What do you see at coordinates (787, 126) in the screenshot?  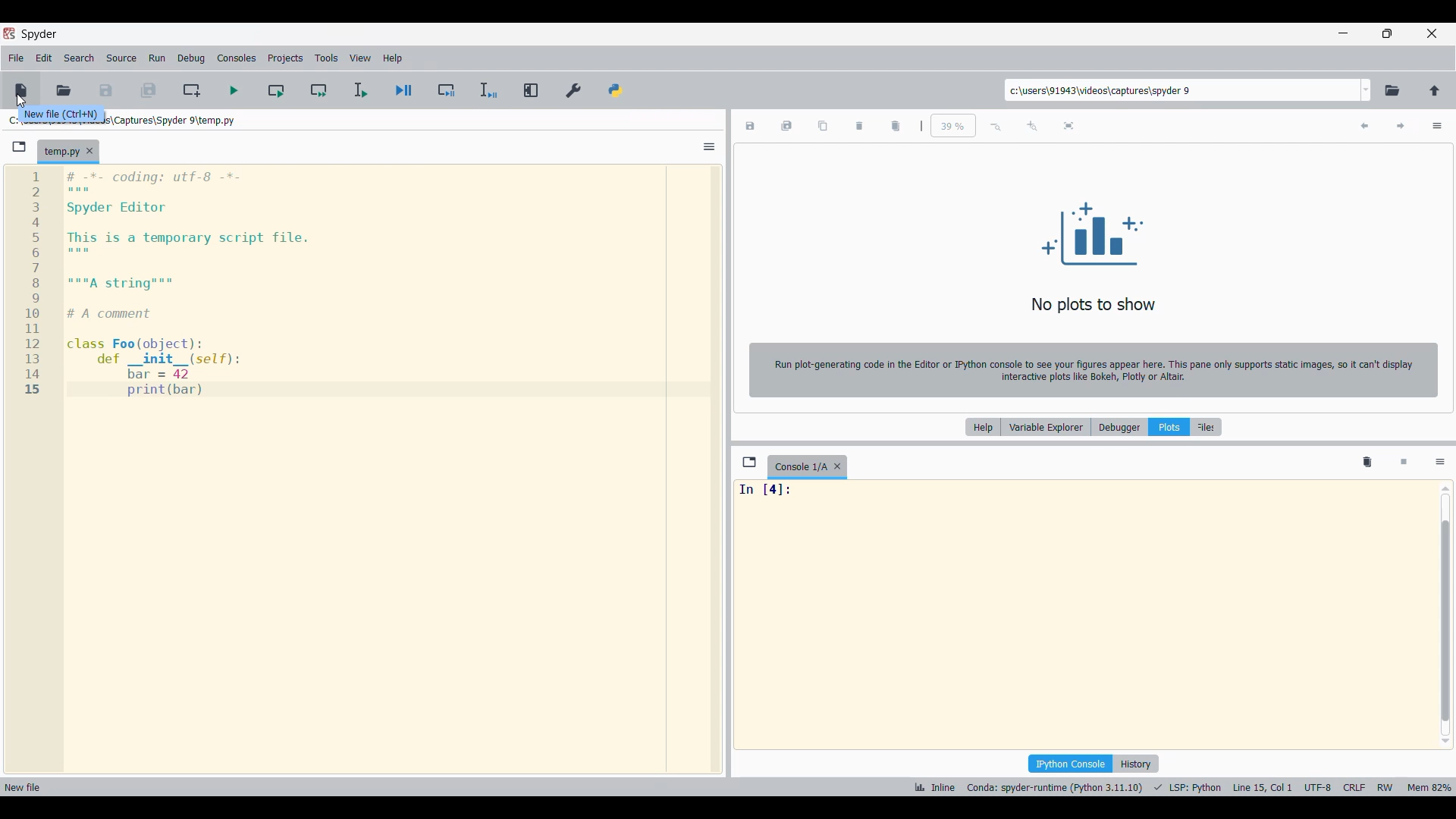 I see `Save all plots` at bounding box center [787, 126].